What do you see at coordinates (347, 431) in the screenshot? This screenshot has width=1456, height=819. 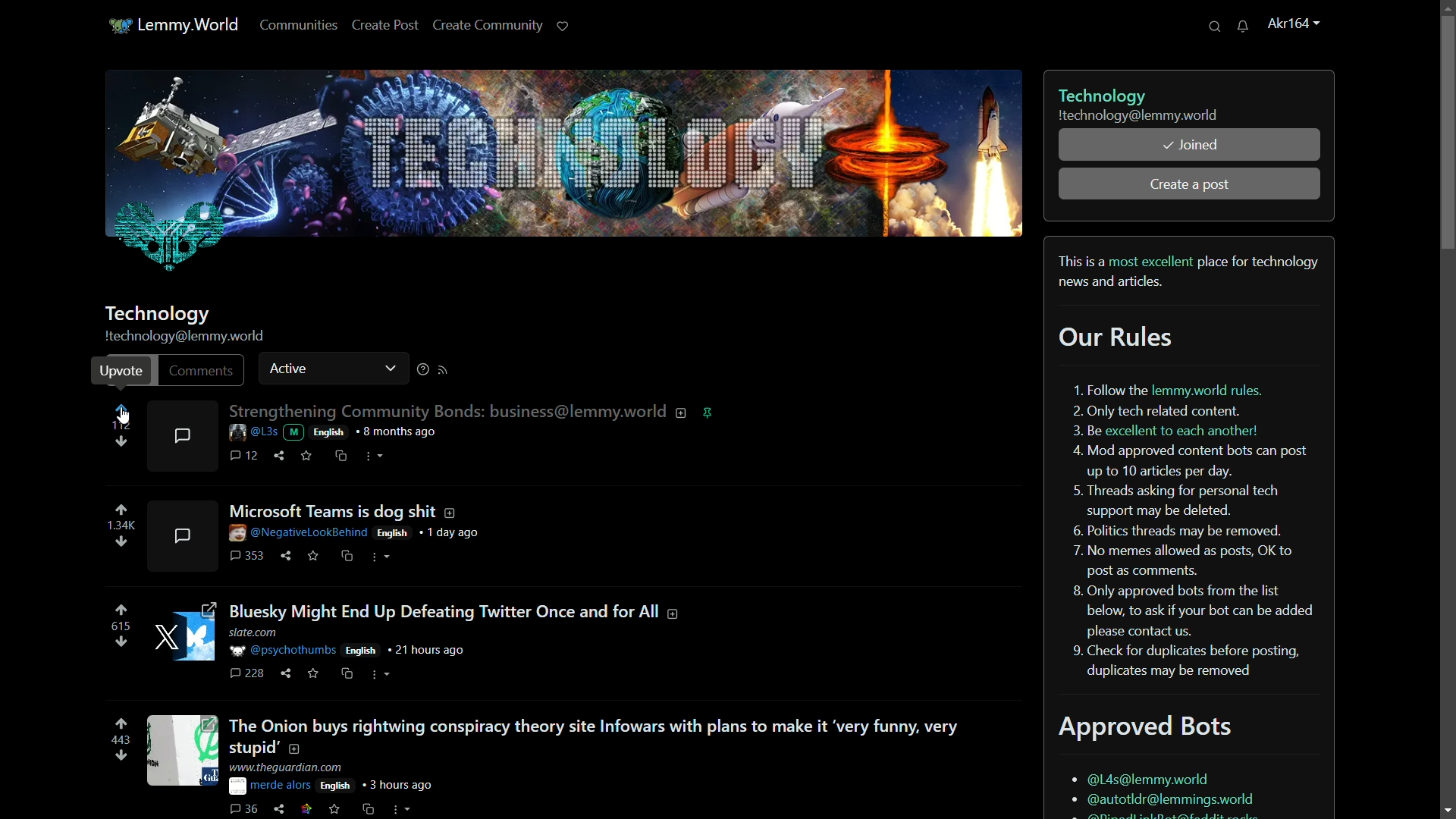 I see `post details` at bounding box center [347, 431].